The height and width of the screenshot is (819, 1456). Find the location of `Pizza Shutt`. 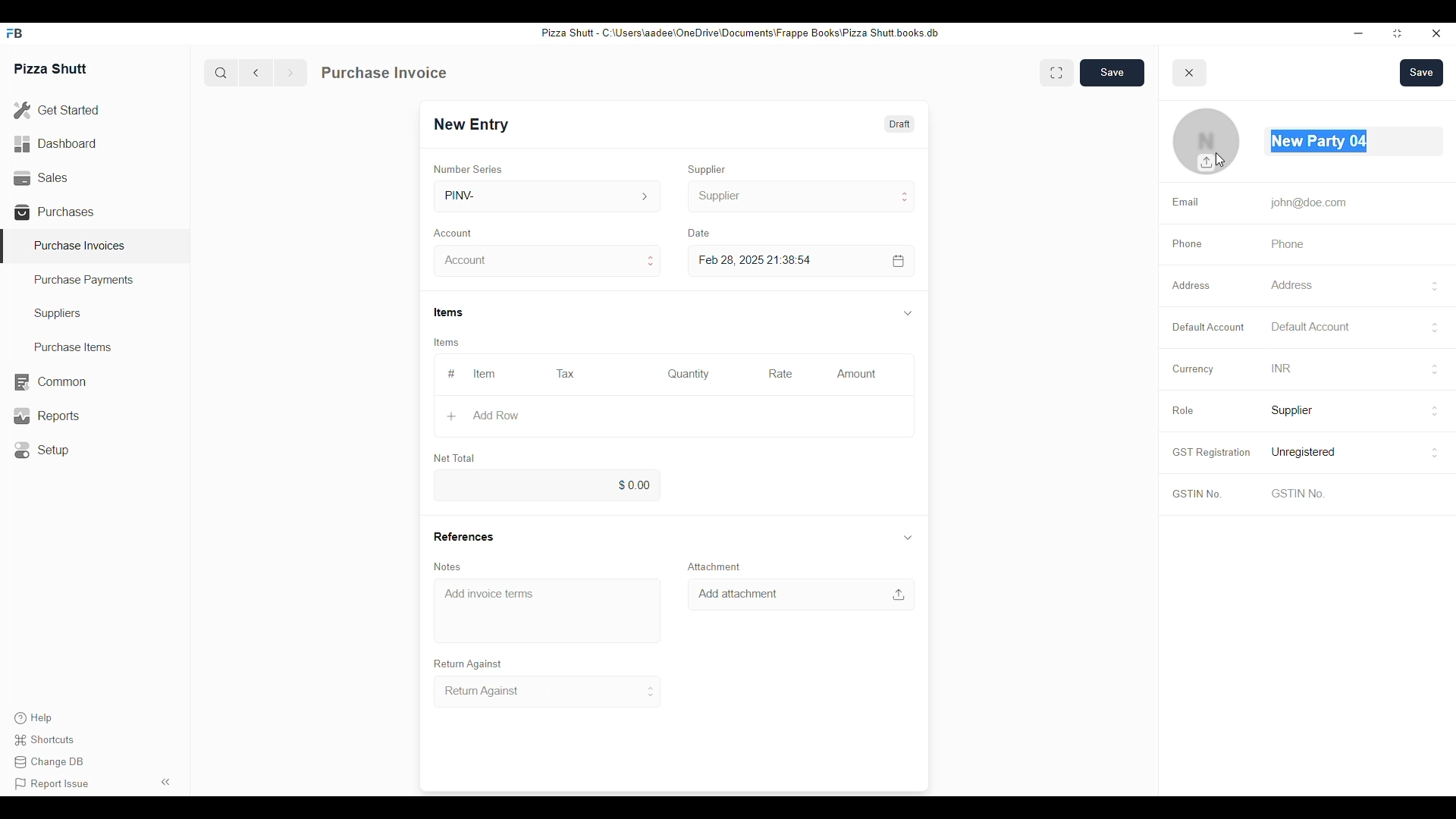

Pizza Shutt is located at coordinates (52, 67).